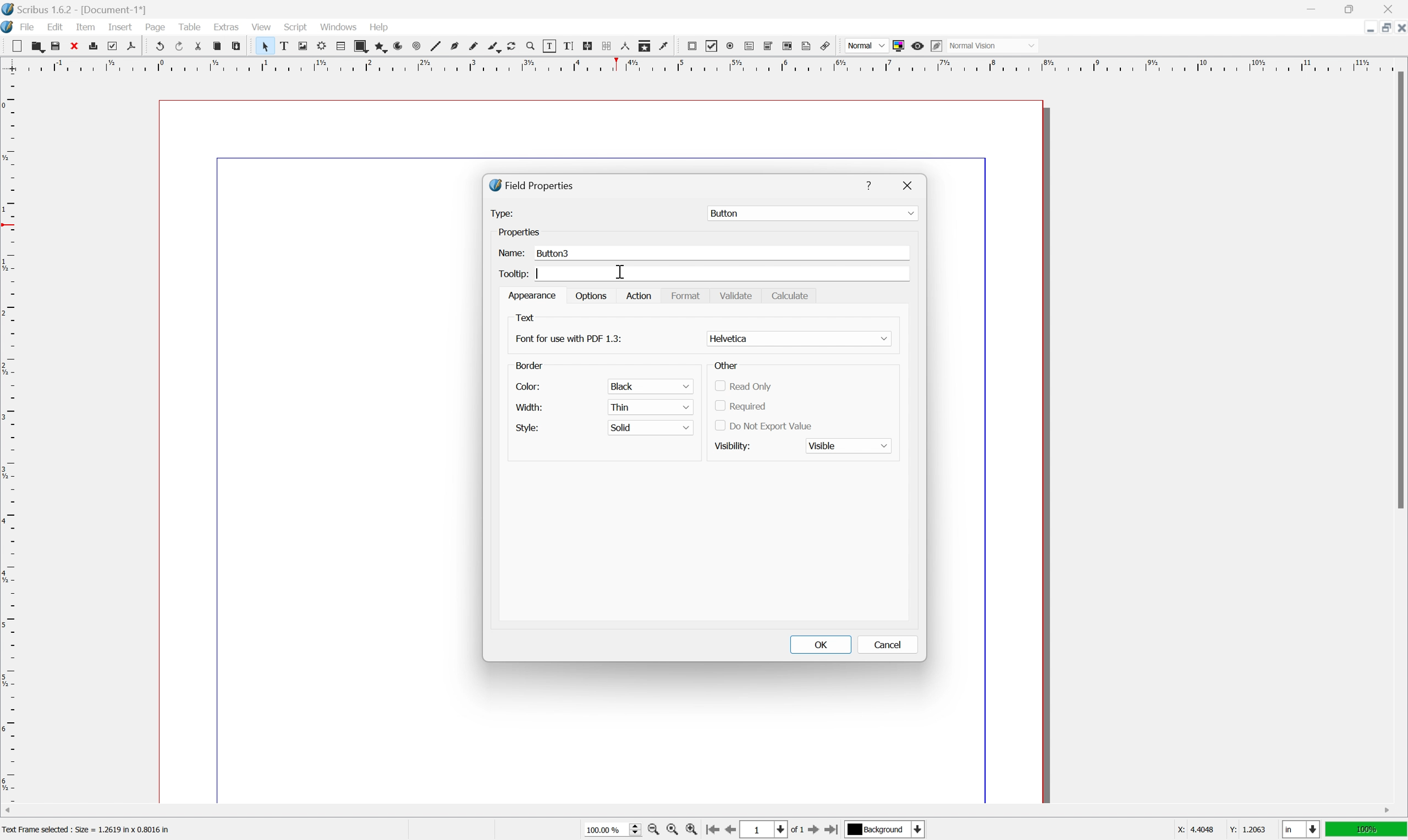 The width and height of the screenshot is (1408, 840). What do you see at coordinates (640, 295) in the screenshot?
I see `Action` at bounding box center [640, 295].